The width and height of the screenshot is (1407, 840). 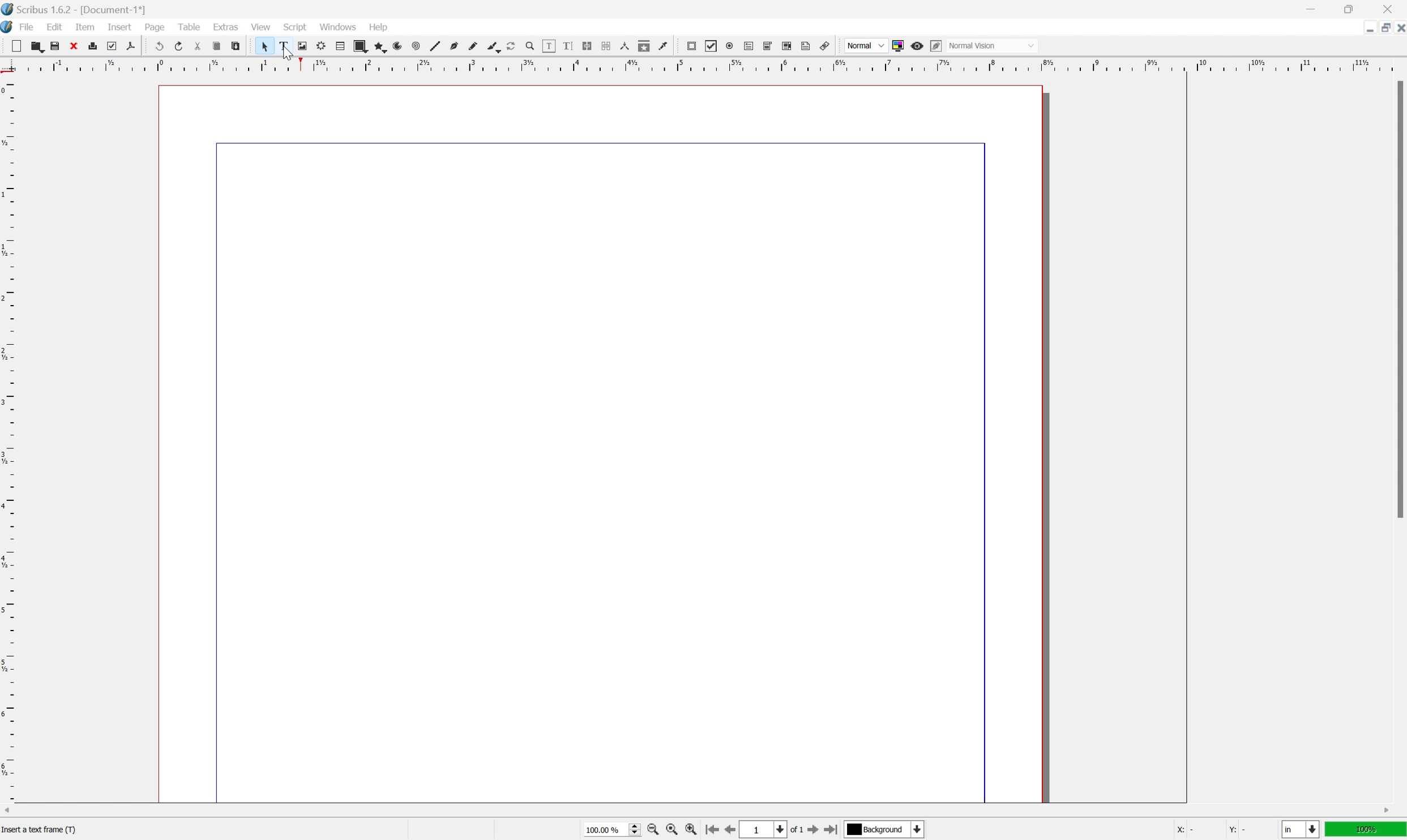 What do you see at coordinates (382, 48) in the screenshot?
I see `polygon` at bounding box center [382, 48].